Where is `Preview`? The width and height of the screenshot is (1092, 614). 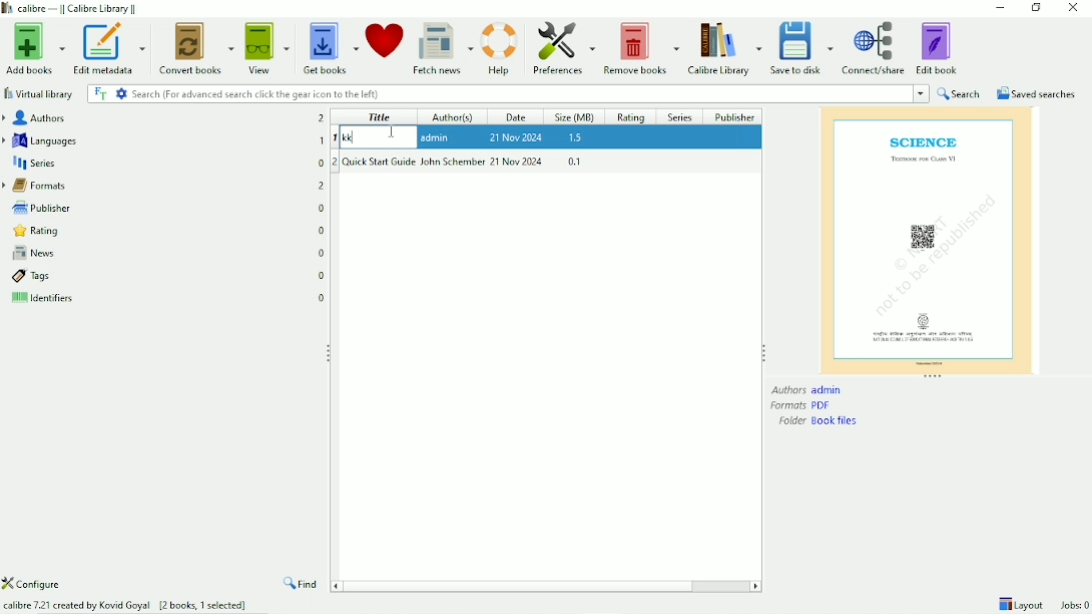
Preview is located at coordinates (926, 239).